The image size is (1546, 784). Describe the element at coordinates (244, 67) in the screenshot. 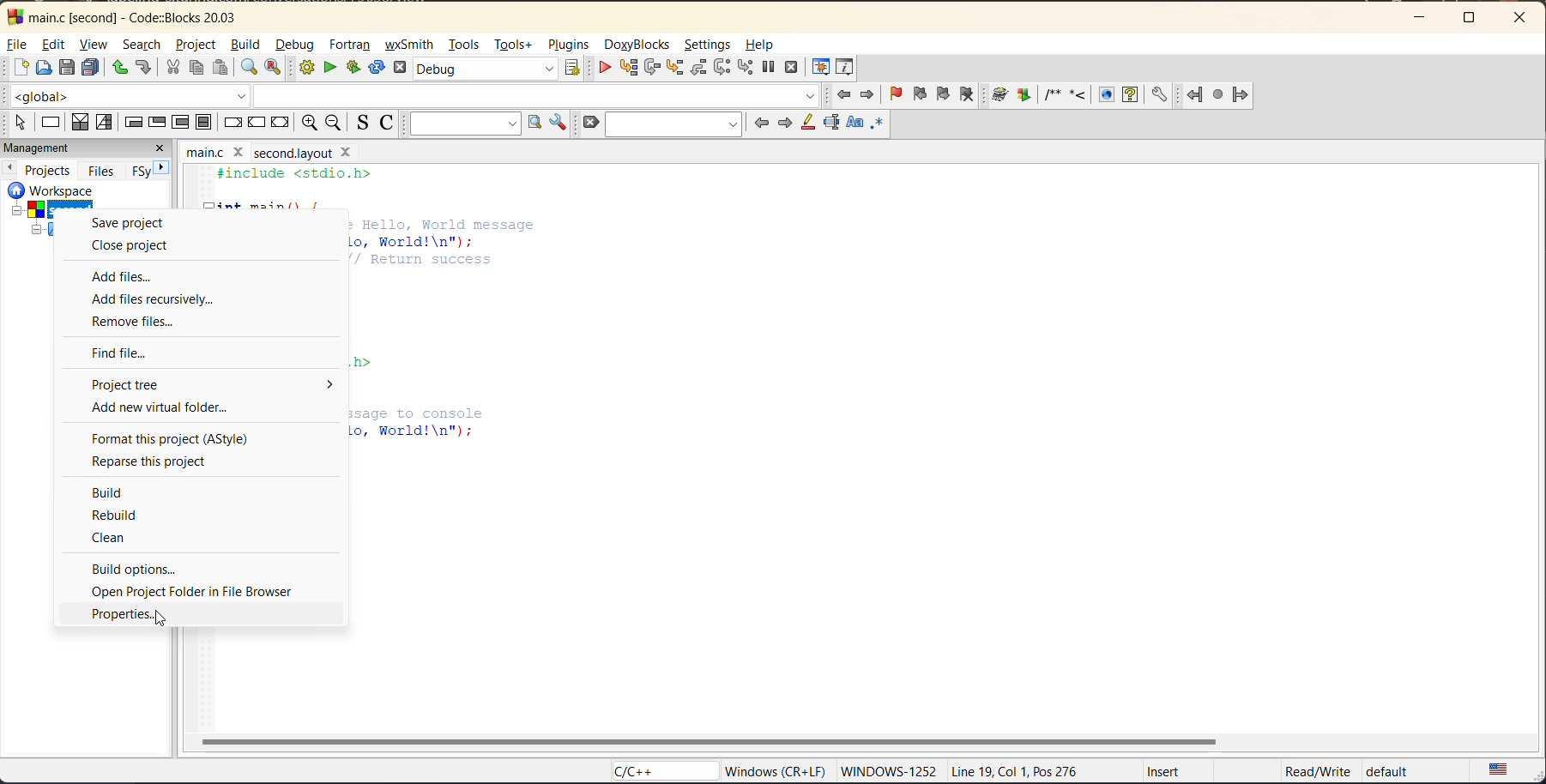

I see `find` at that location.